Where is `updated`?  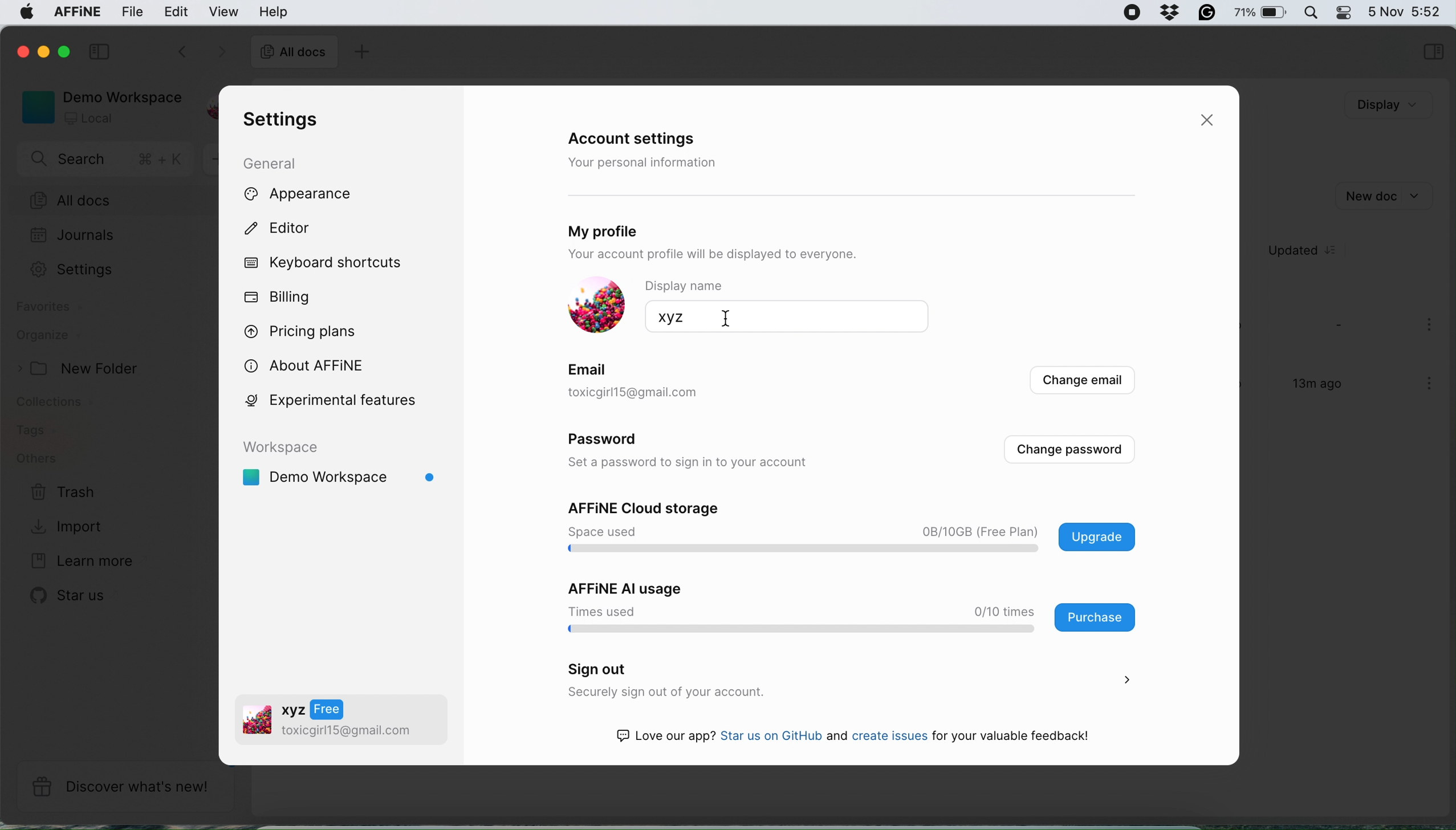 updated is located at coordinates (1310, 251).